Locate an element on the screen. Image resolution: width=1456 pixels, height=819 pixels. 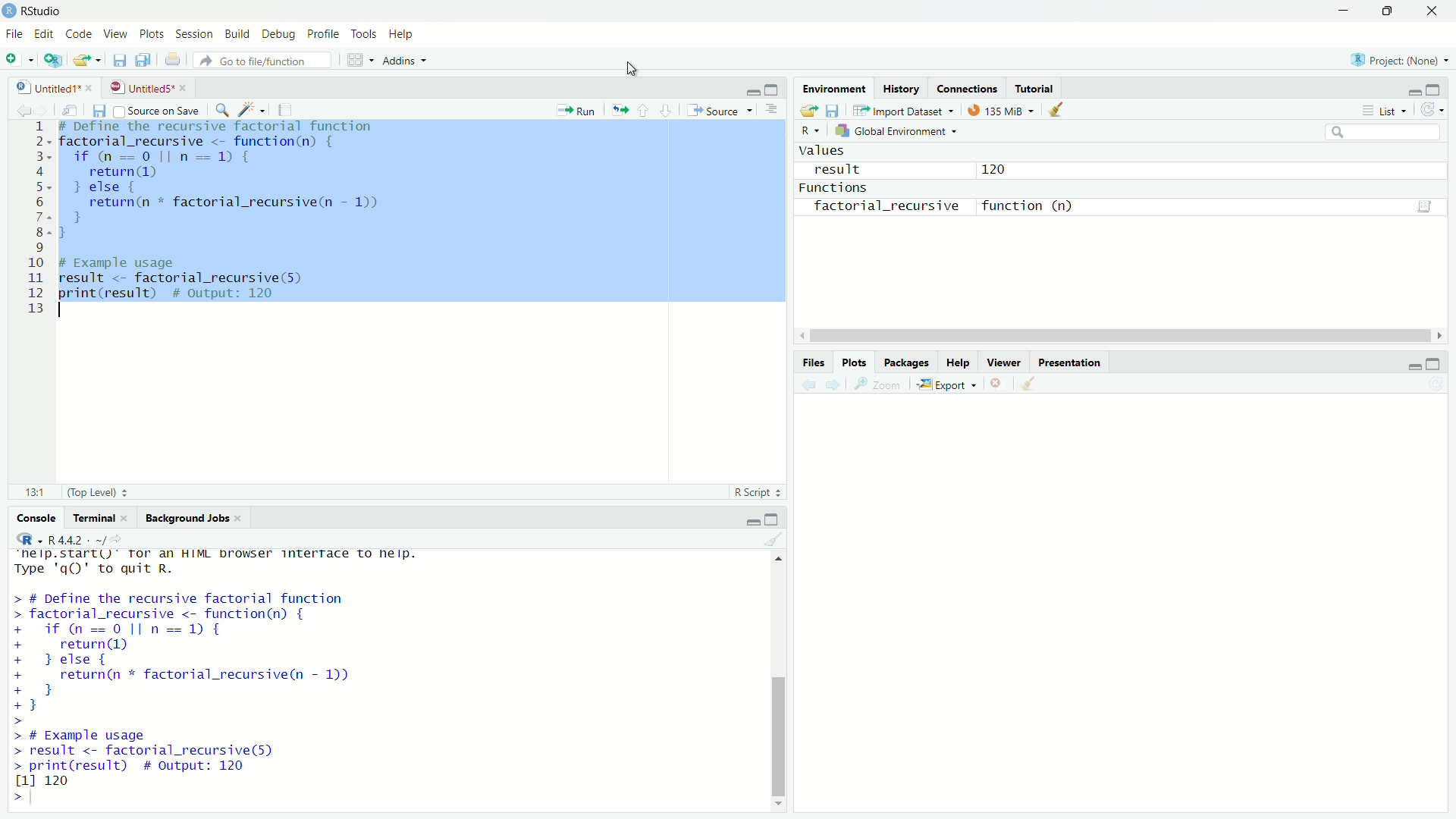
Source is located at coordinates (718, 109).